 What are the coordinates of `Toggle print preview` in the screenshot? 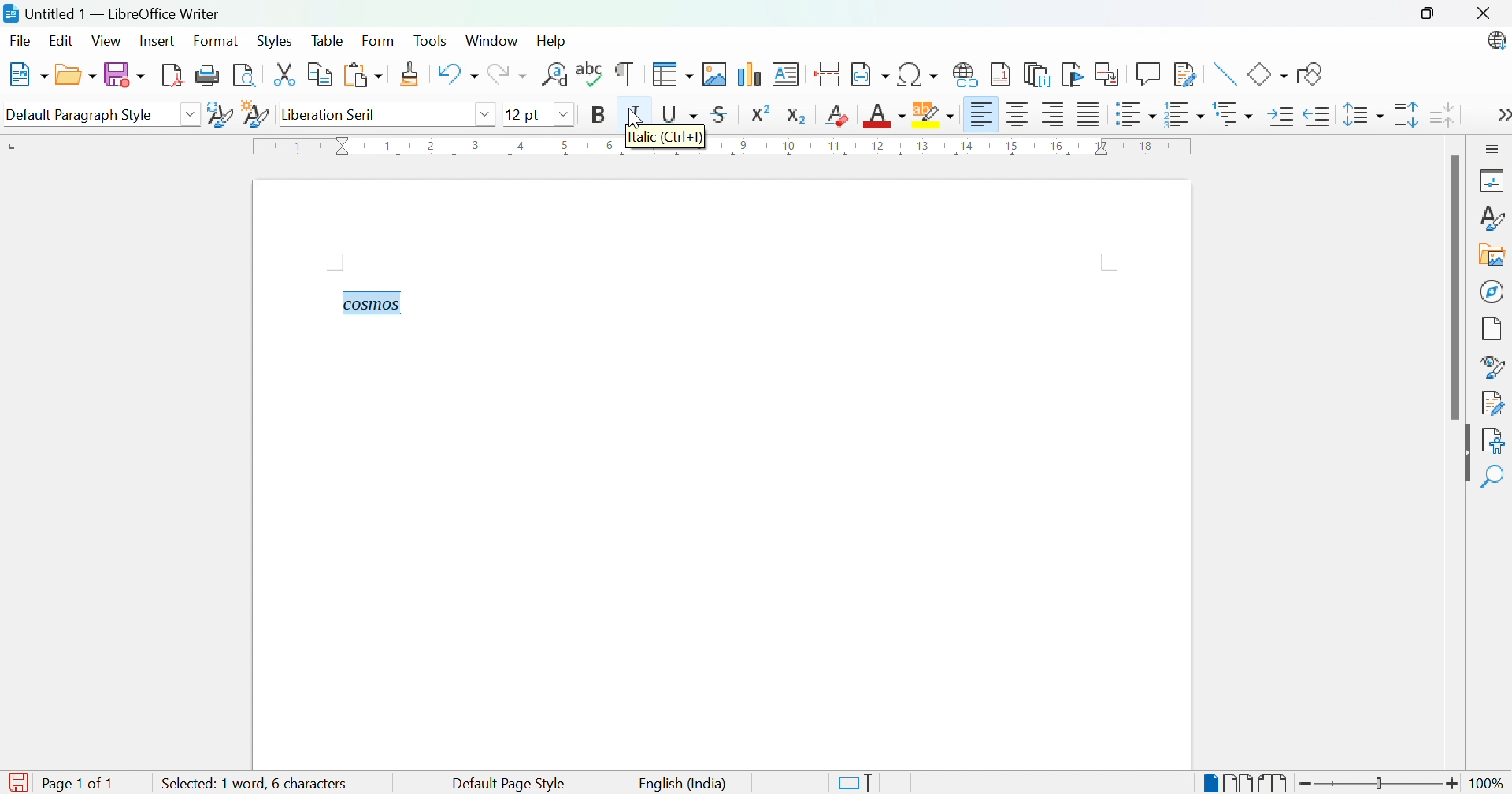 It's located at (245, 76).